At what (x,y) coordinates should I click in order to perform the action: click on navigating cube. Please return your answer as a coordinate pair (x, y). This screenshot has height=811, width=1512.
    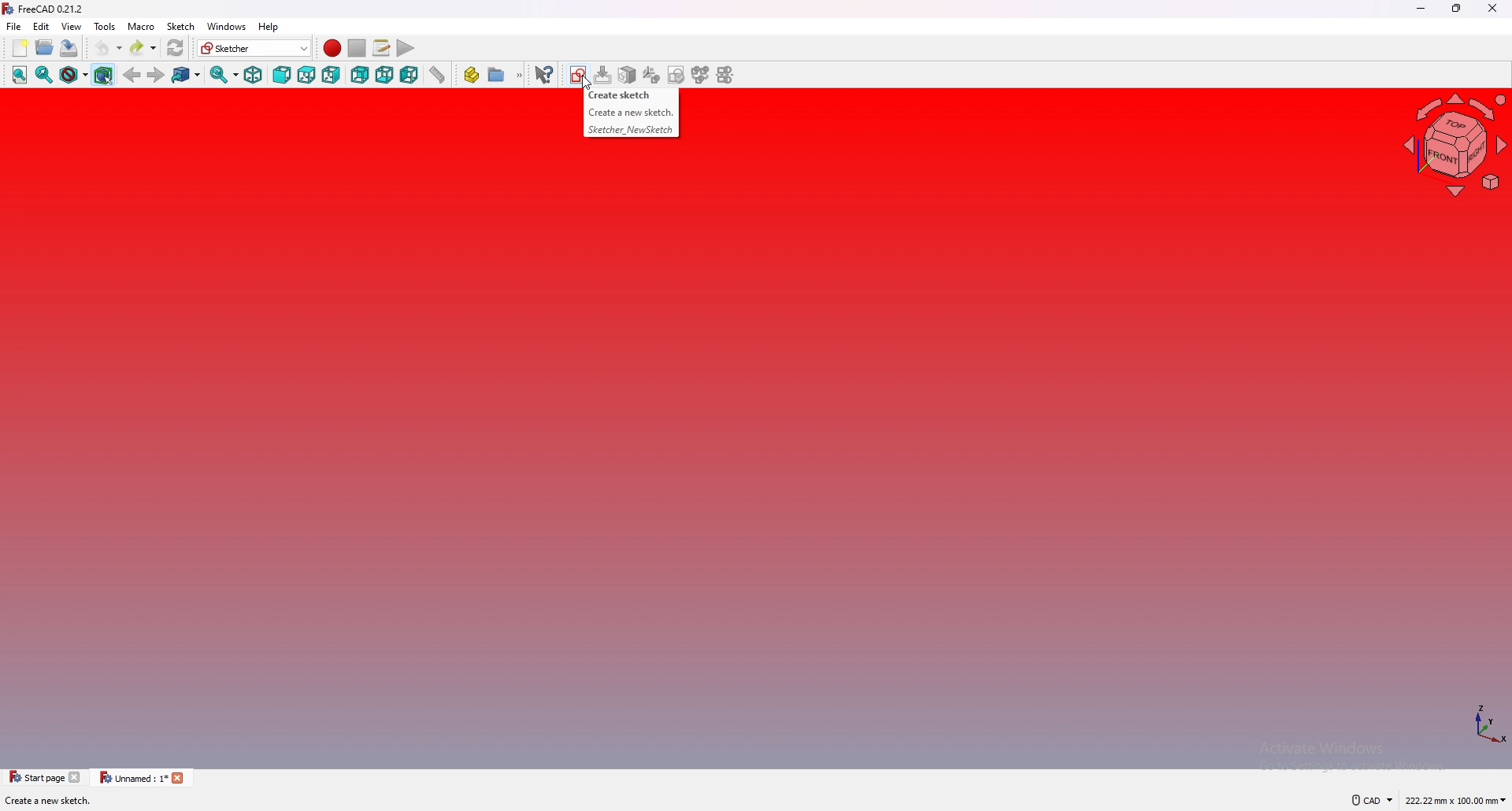
    Looking at the image, I should click on (1458, 144).